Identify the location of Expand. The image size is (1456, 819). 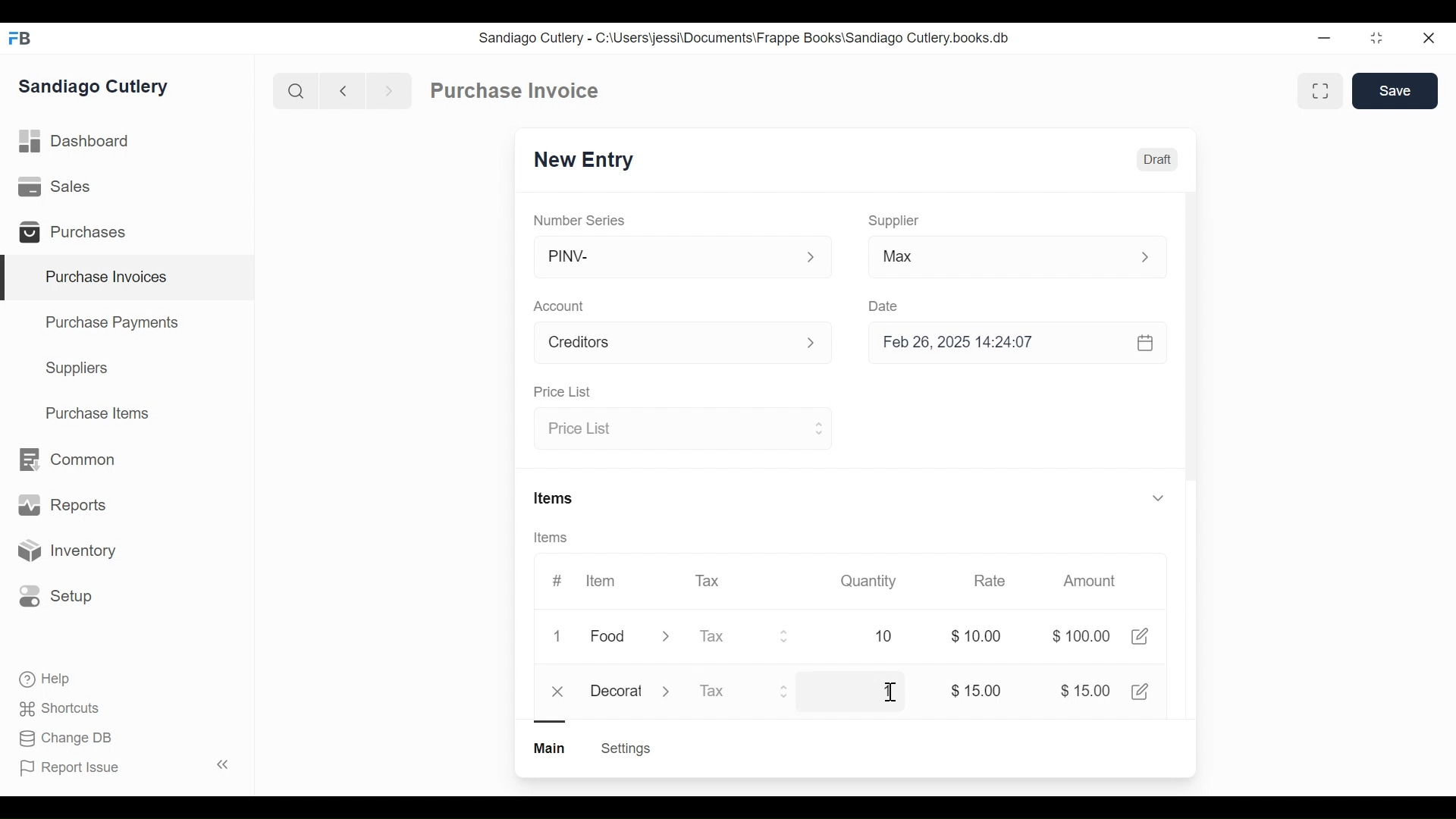
(820, 344).